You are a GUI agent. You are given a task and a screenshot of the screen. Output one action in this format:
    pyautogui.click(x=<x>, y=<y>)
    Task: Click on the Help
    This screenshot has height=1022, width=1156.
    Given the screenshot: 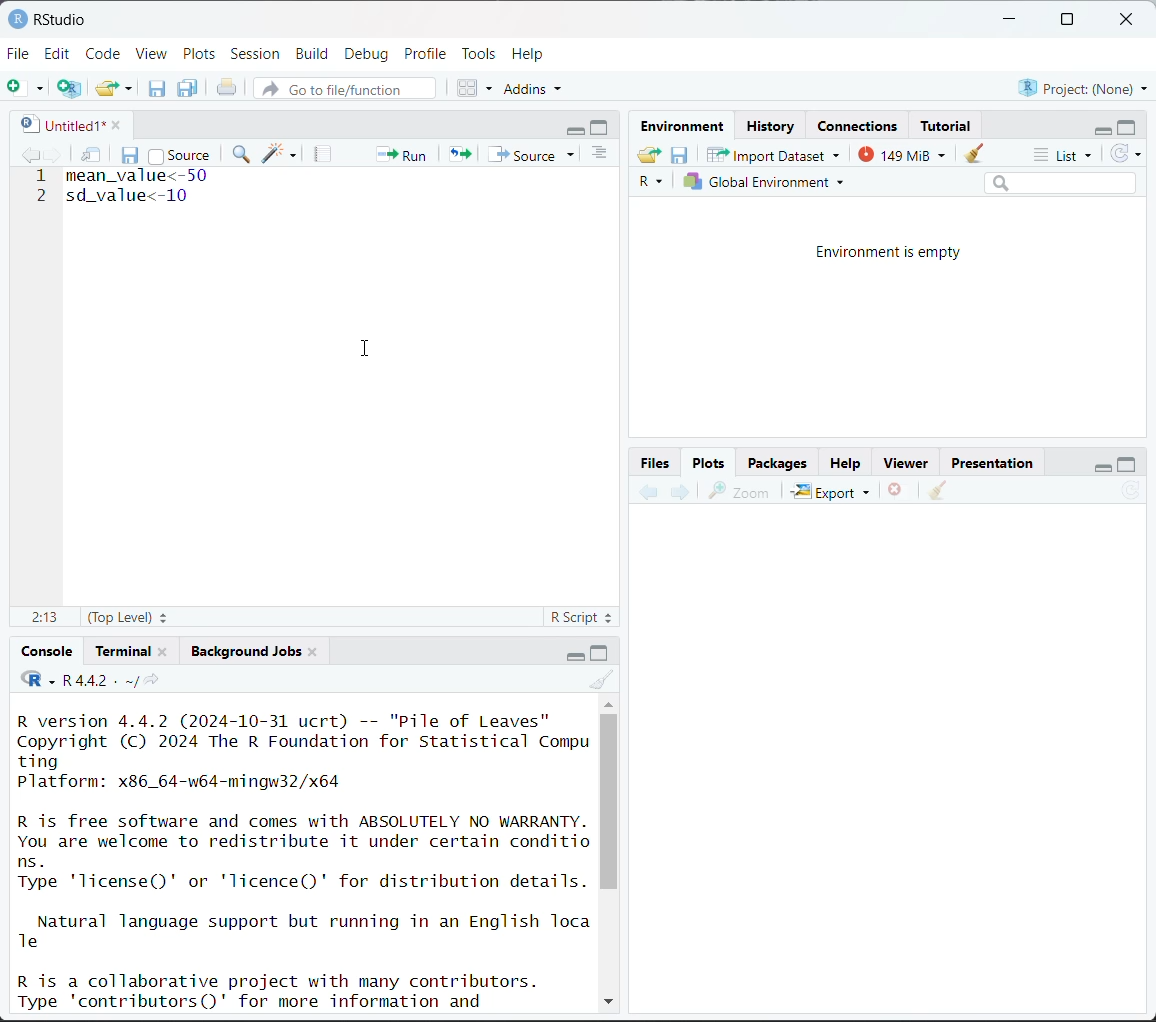 What is the action you would take?
    pyautogui.click(x=845, y=465)
    